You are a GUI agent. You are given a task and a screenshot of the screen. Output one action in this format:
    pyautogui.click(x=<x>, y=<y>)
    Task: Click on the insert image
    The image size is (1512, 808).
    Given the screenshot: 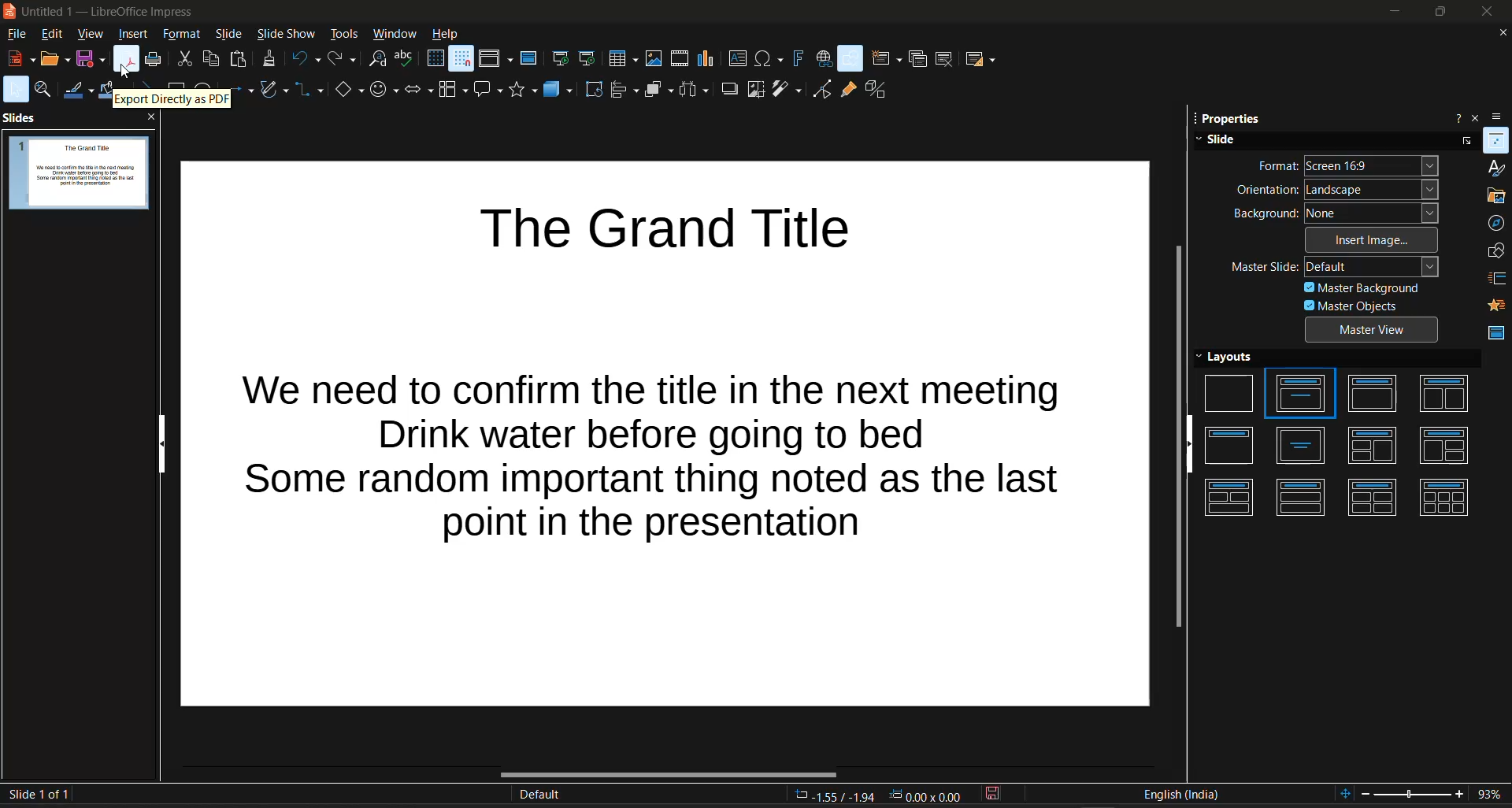 What is the action you would take?
    pyautogui.click(x=651, y=57)
    